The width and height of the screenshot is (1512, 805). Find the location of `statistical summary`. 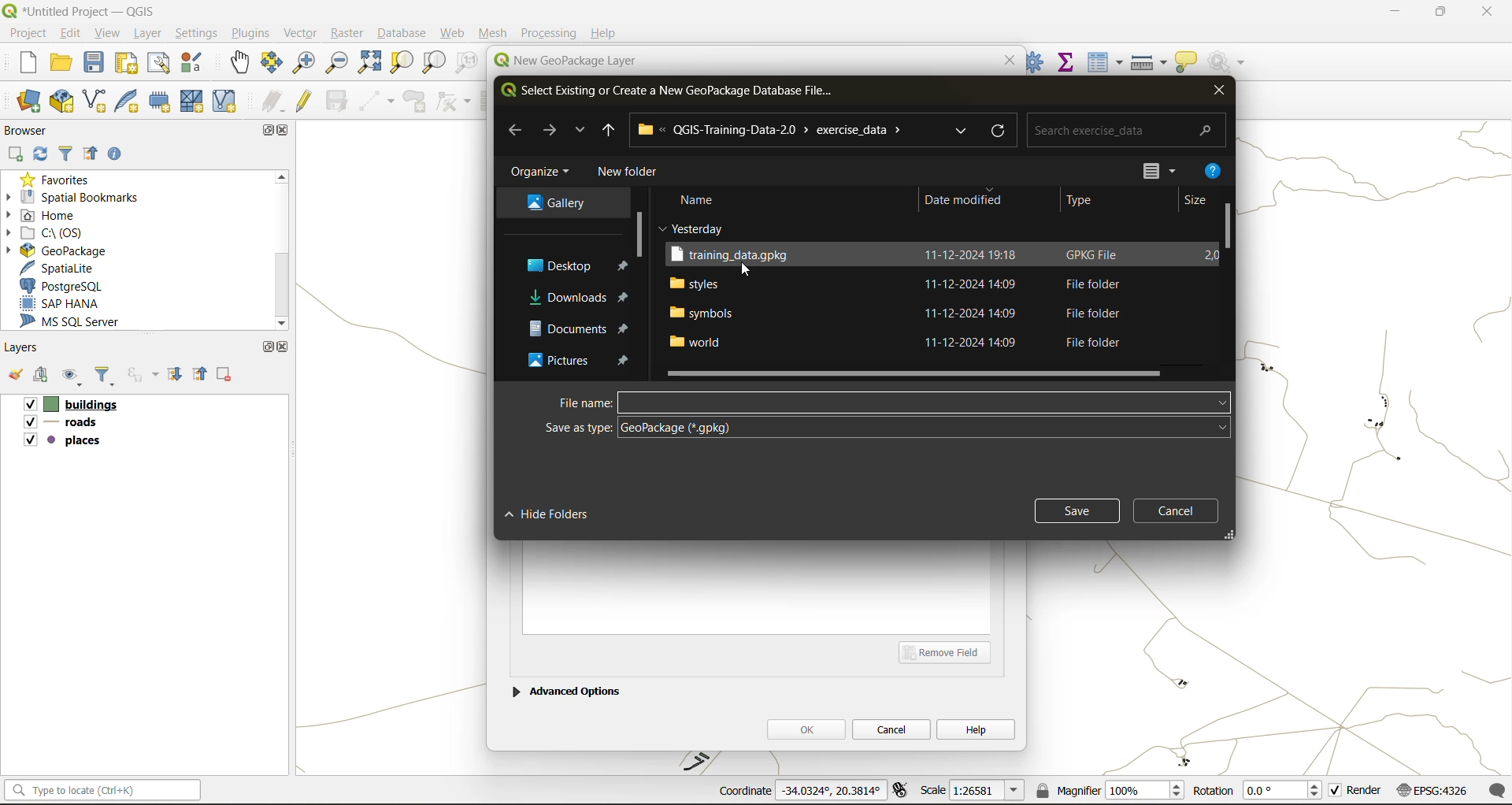

statistical summary is located at coordinates (1067, 61).